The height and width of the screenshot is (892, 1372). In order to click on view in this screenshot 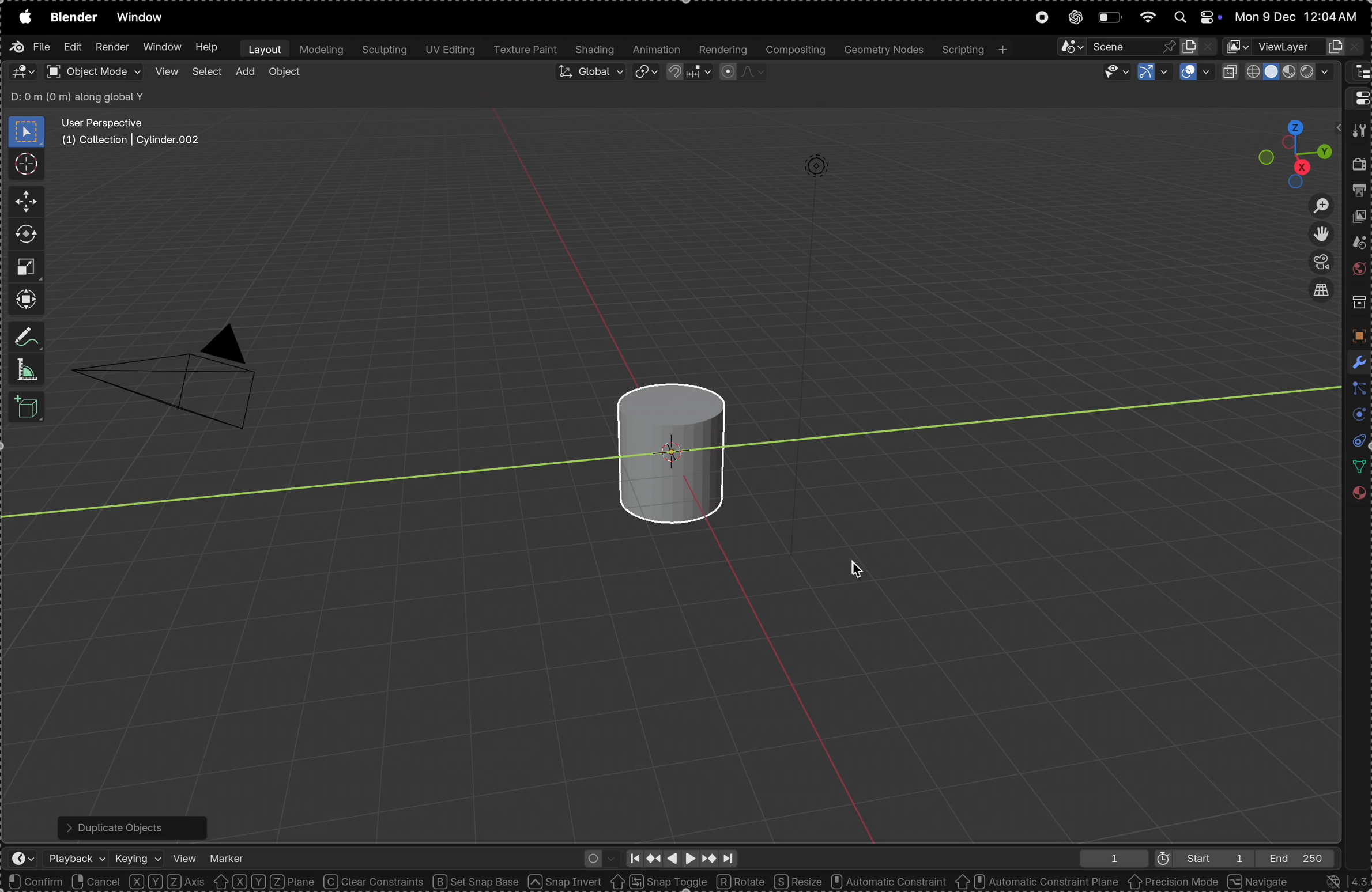, I will do `click(165, 72)`.